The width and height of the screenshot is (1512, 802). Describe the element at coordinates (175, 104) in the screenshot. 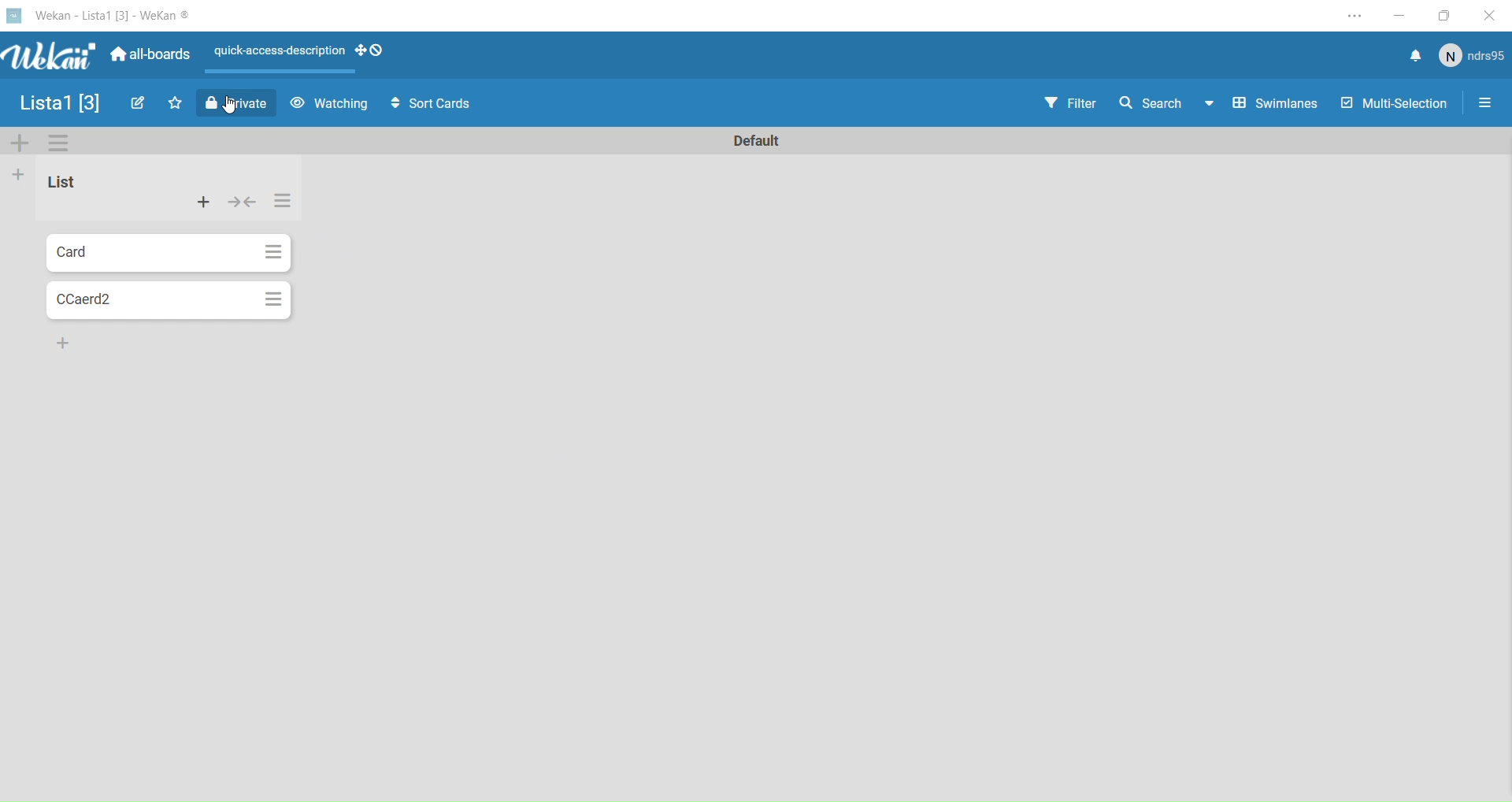

I see `Favourites` at that location.